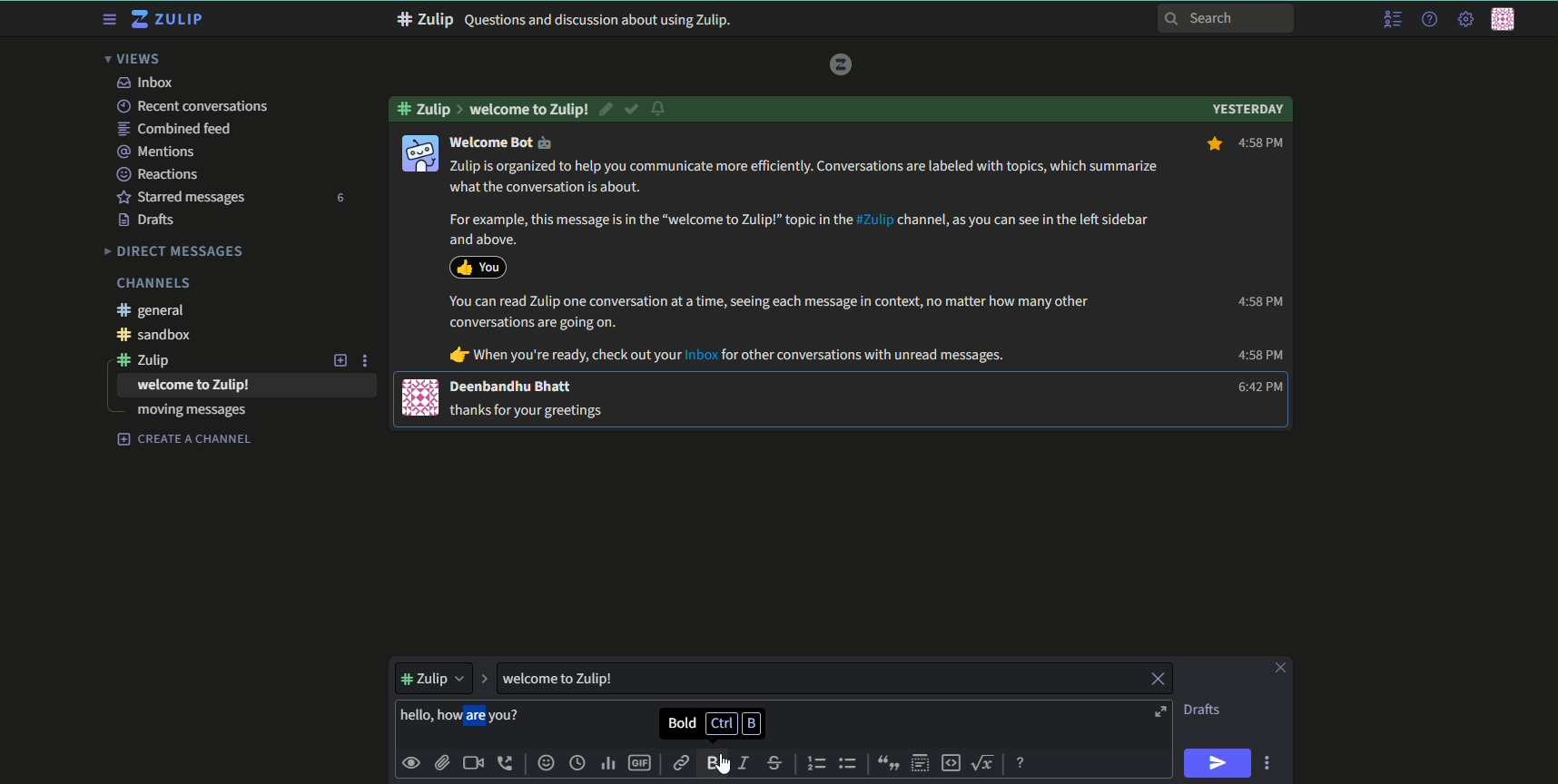 The height and width of the screenshot is (784, 1558). Describe the element at coordinates (418, 154) in the screenshot. I see `icon` at that location.